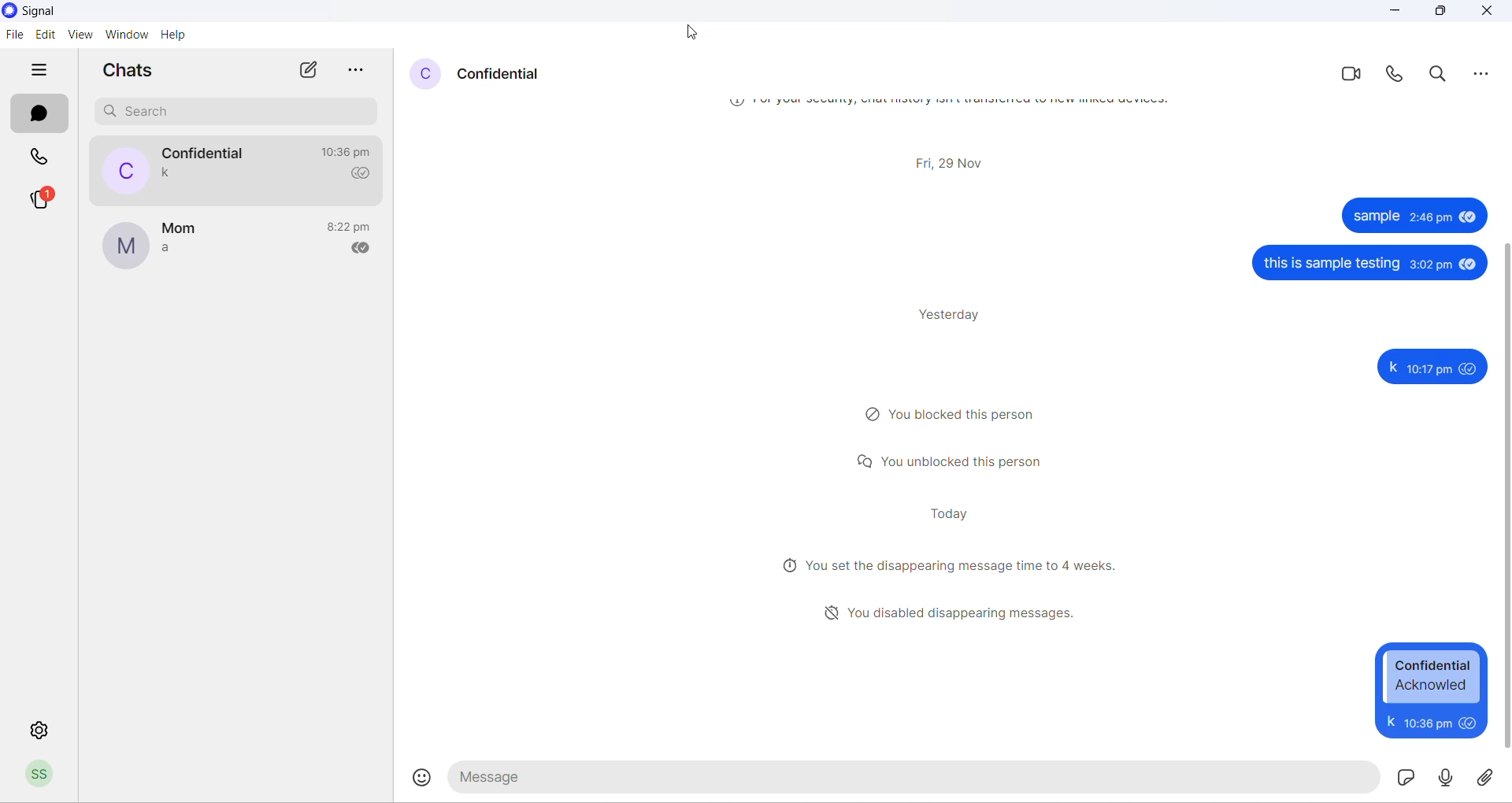  I want to click on Confidential Acknowled, so click(1433, 676).